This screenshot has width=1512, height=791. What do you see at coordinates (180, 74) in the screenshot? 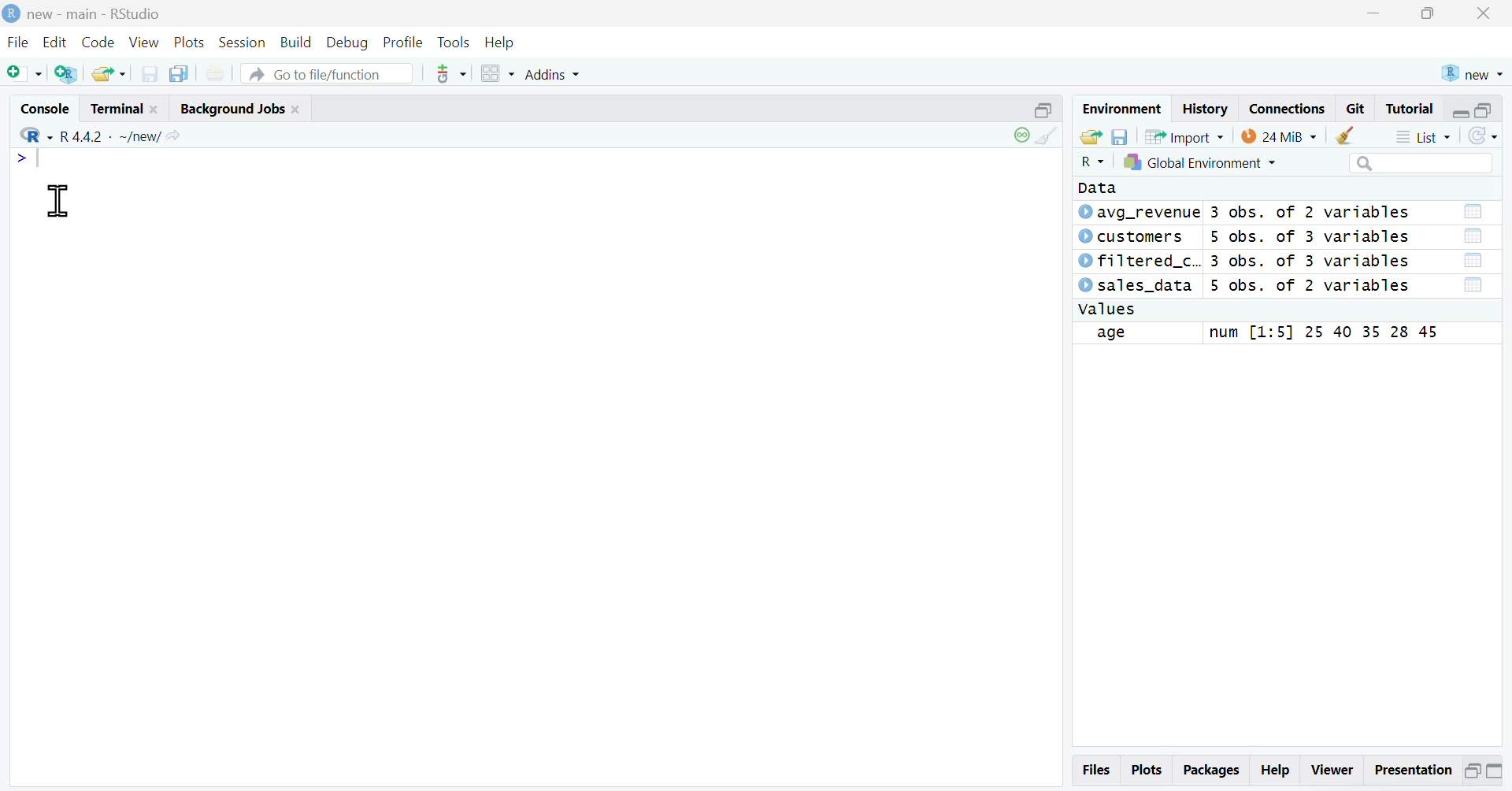
I see `Save all open documents` at bounding box center [180, 74].